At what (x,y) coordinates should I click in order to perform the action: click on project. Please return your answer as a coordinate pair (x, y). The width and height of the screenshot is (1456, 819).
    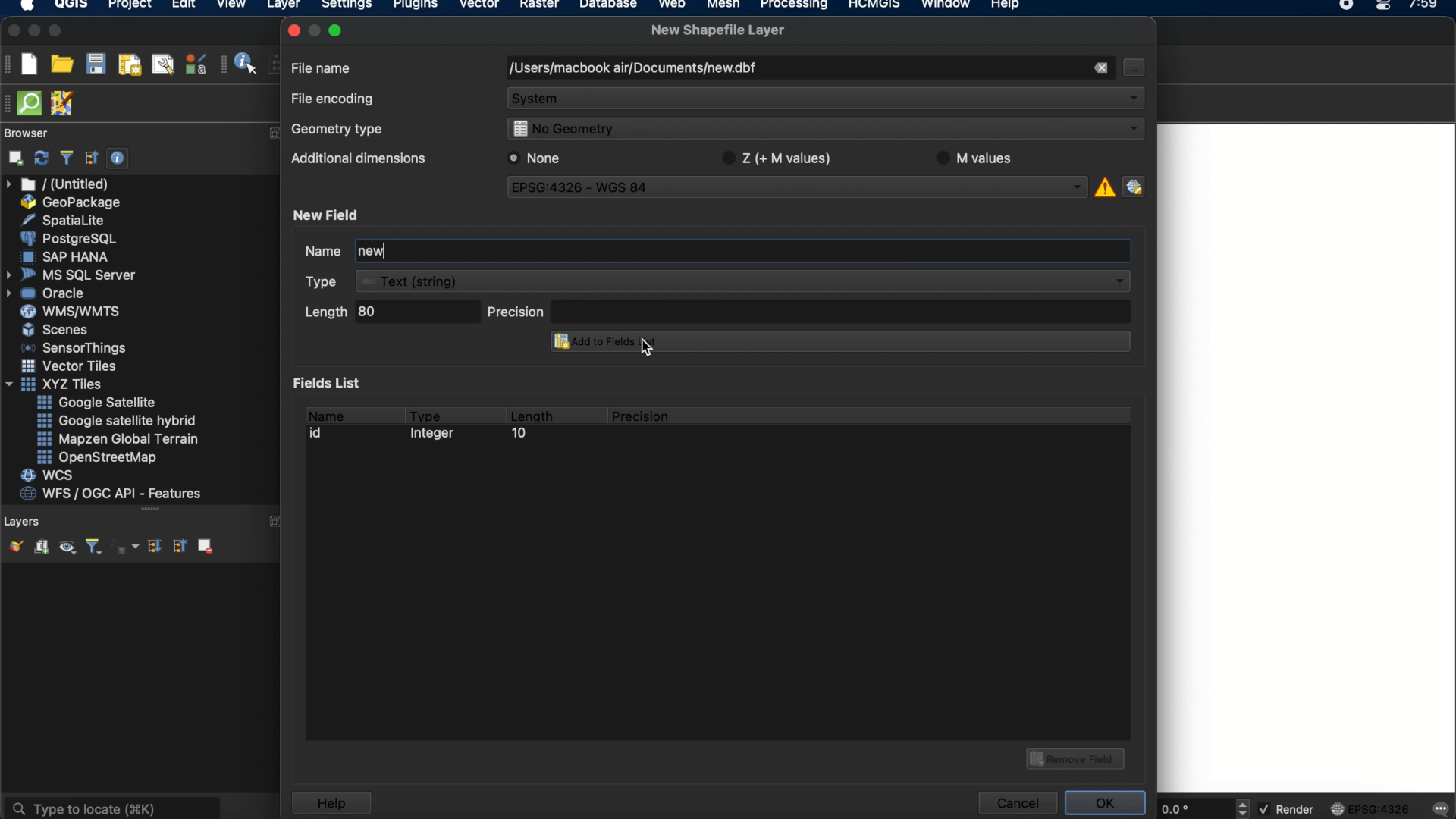
    Looking at the image, I should click on (127, 6).